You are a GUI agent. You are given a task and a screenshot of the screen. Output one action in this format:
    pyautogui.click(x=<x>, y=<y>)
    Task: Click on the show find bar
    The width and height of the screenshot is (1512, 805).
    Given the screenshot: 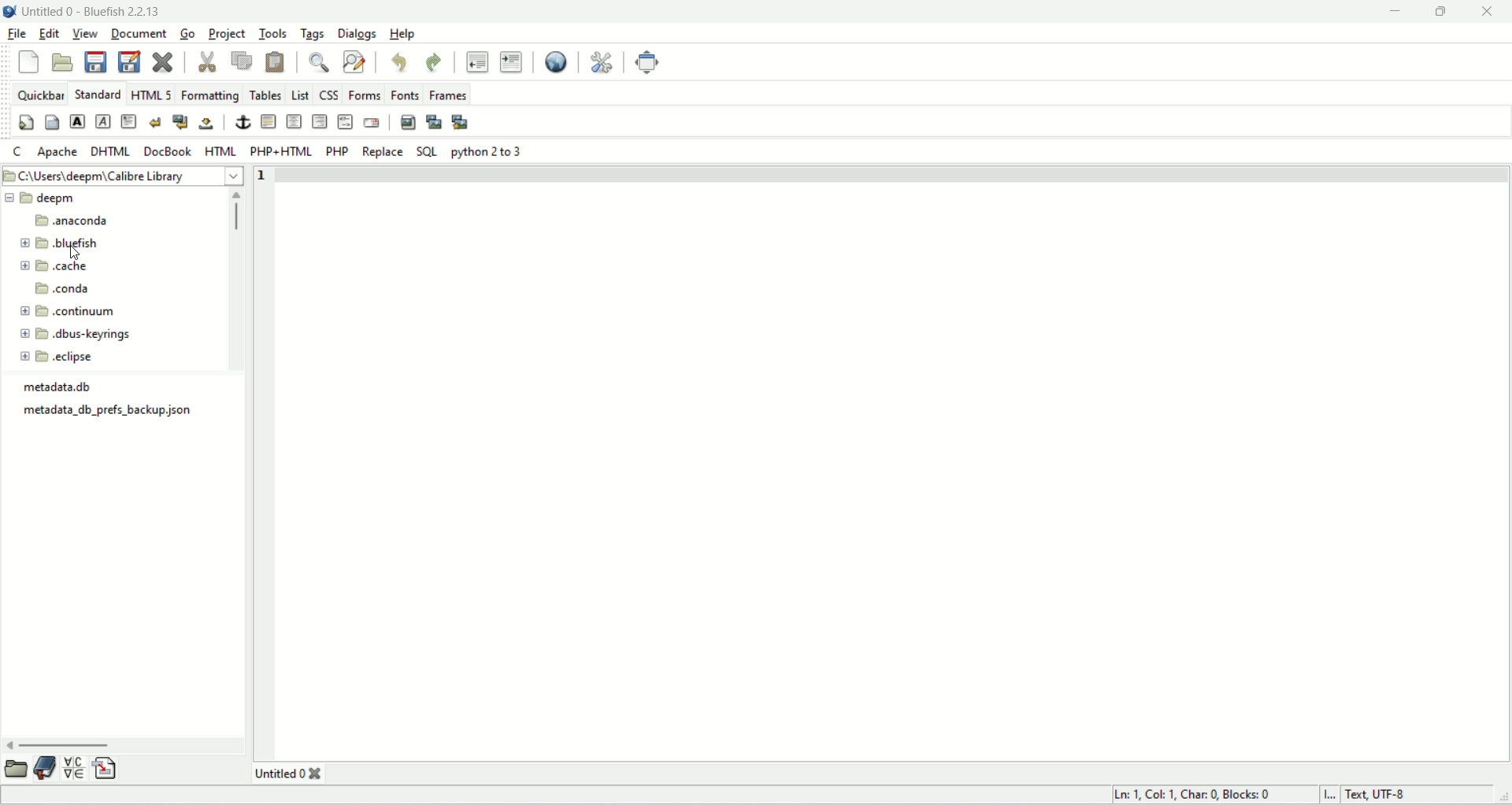 What is the action you would take?
    pyautogui.click(x=320, y=63)
    